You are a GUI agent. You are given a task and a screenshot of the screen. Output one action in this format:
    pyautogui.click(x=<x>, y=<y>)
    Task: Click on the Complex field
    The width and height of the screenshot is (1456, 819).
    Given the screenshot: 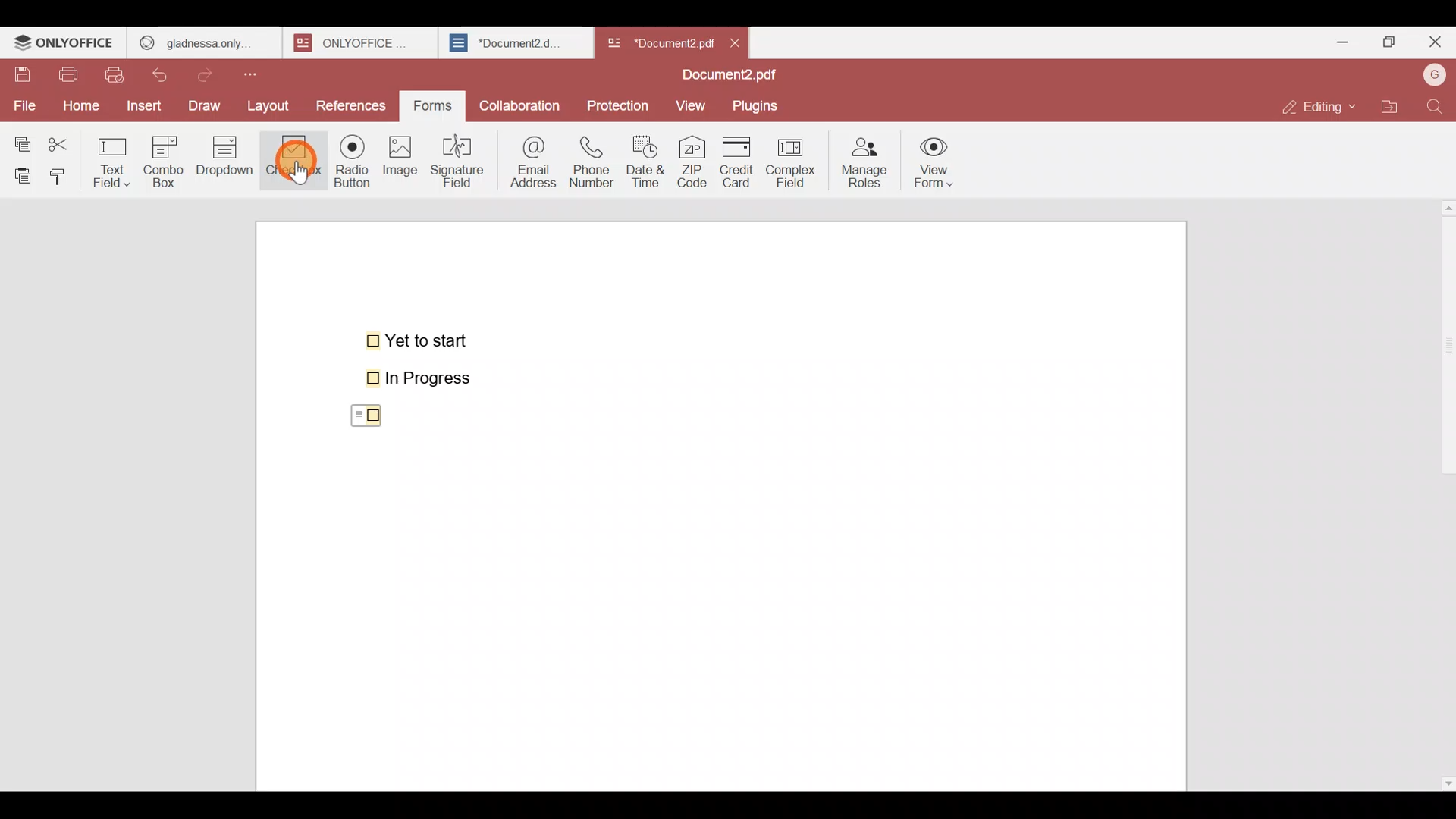 What is the action you would take?
    pyautogui.click(x=789, y=164)
    